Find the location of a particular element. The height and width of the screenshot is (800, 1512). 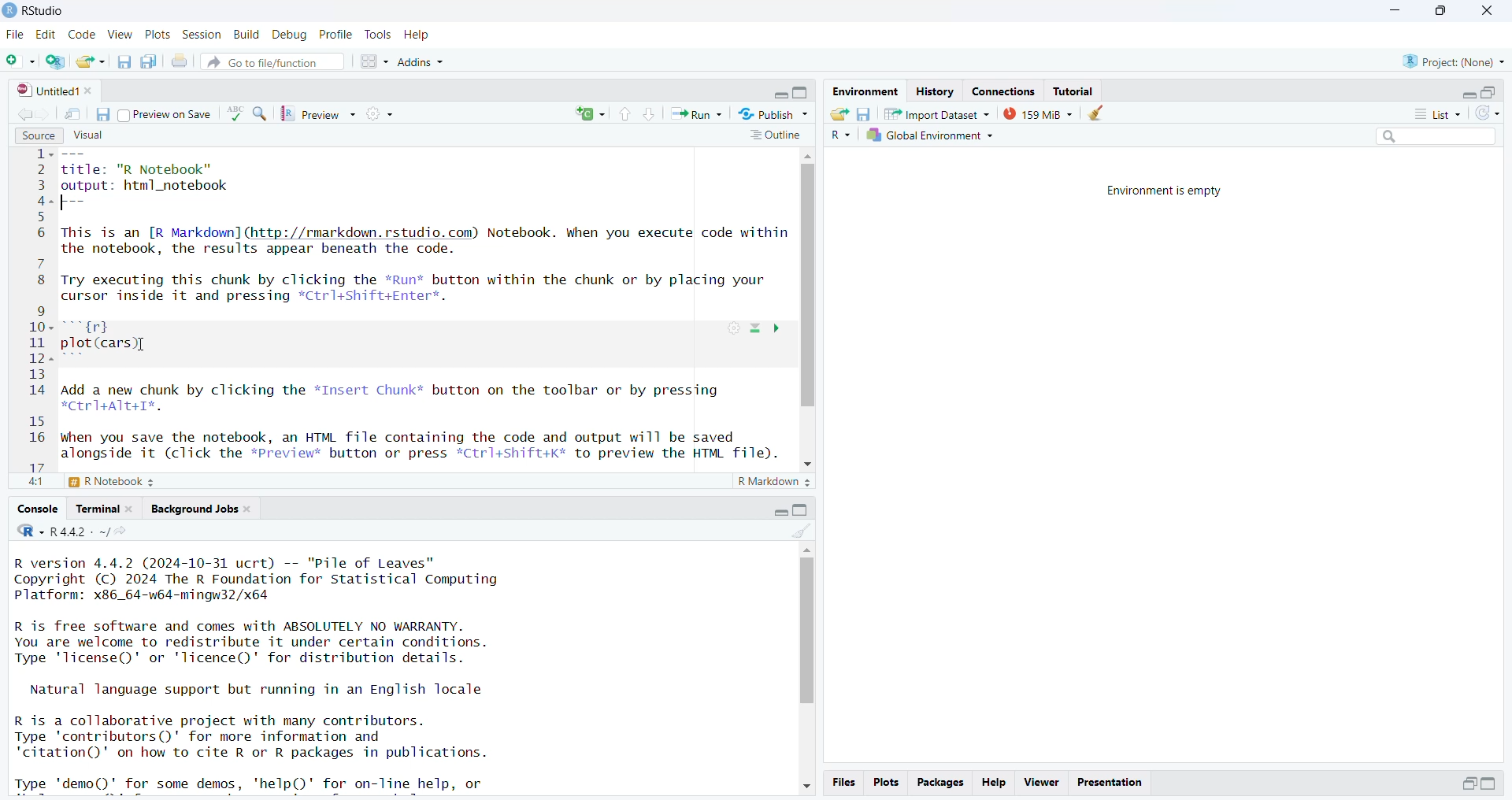

create a project is located at coordinates (57, 61).